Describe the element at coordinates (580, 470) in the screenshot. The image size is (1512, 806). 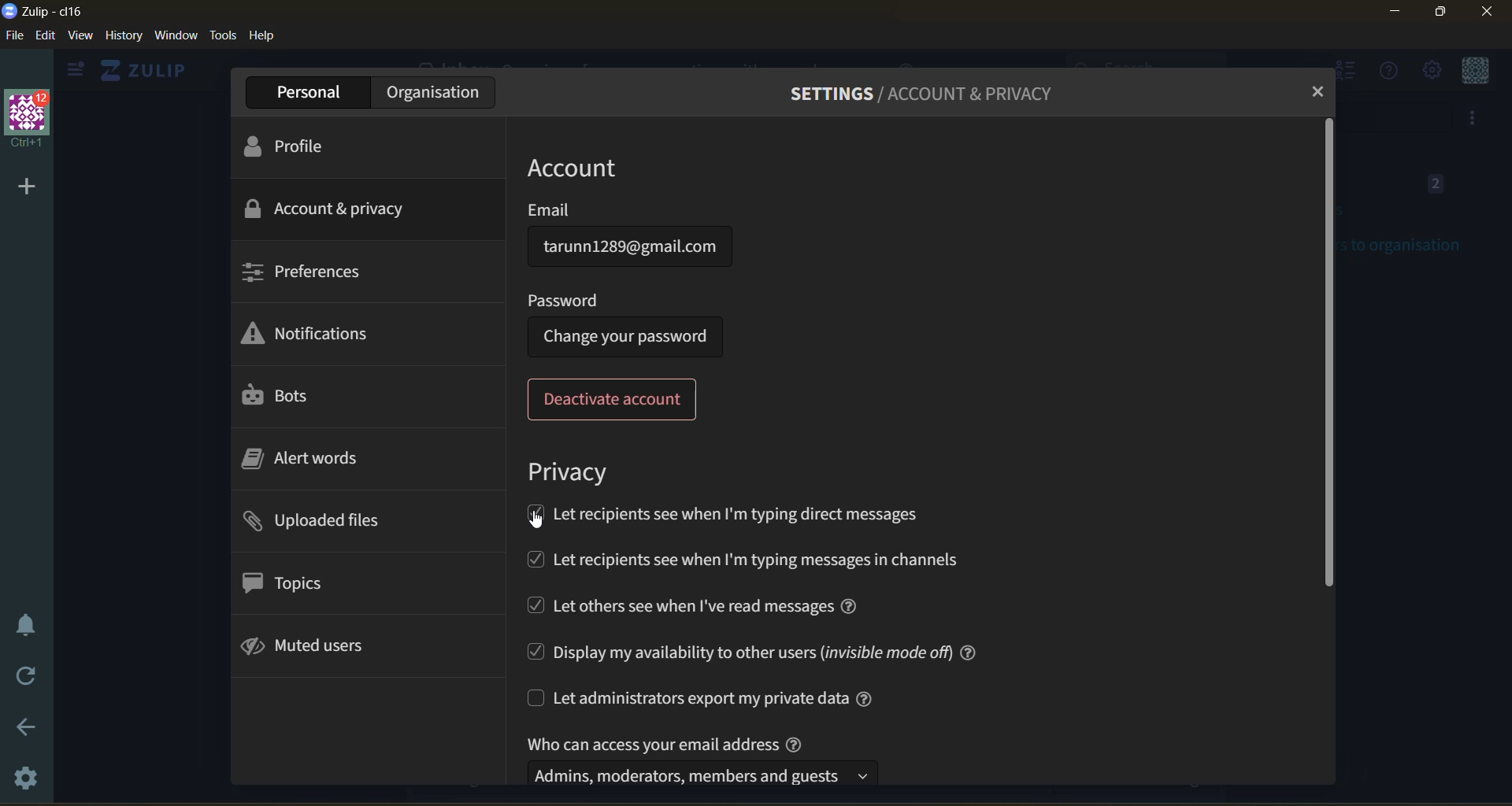
I see `privacy` at that location.